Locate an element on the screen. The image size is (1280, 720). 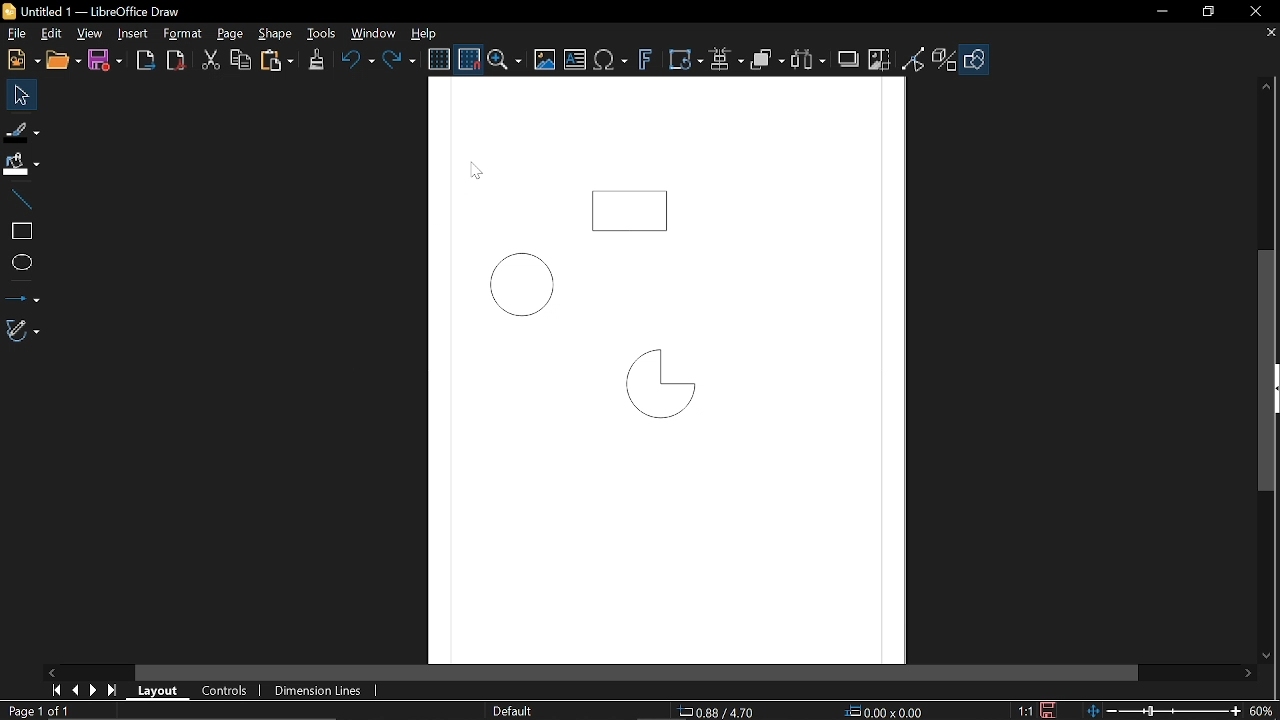
Curves and polygons is located at coordinates (22, 331).